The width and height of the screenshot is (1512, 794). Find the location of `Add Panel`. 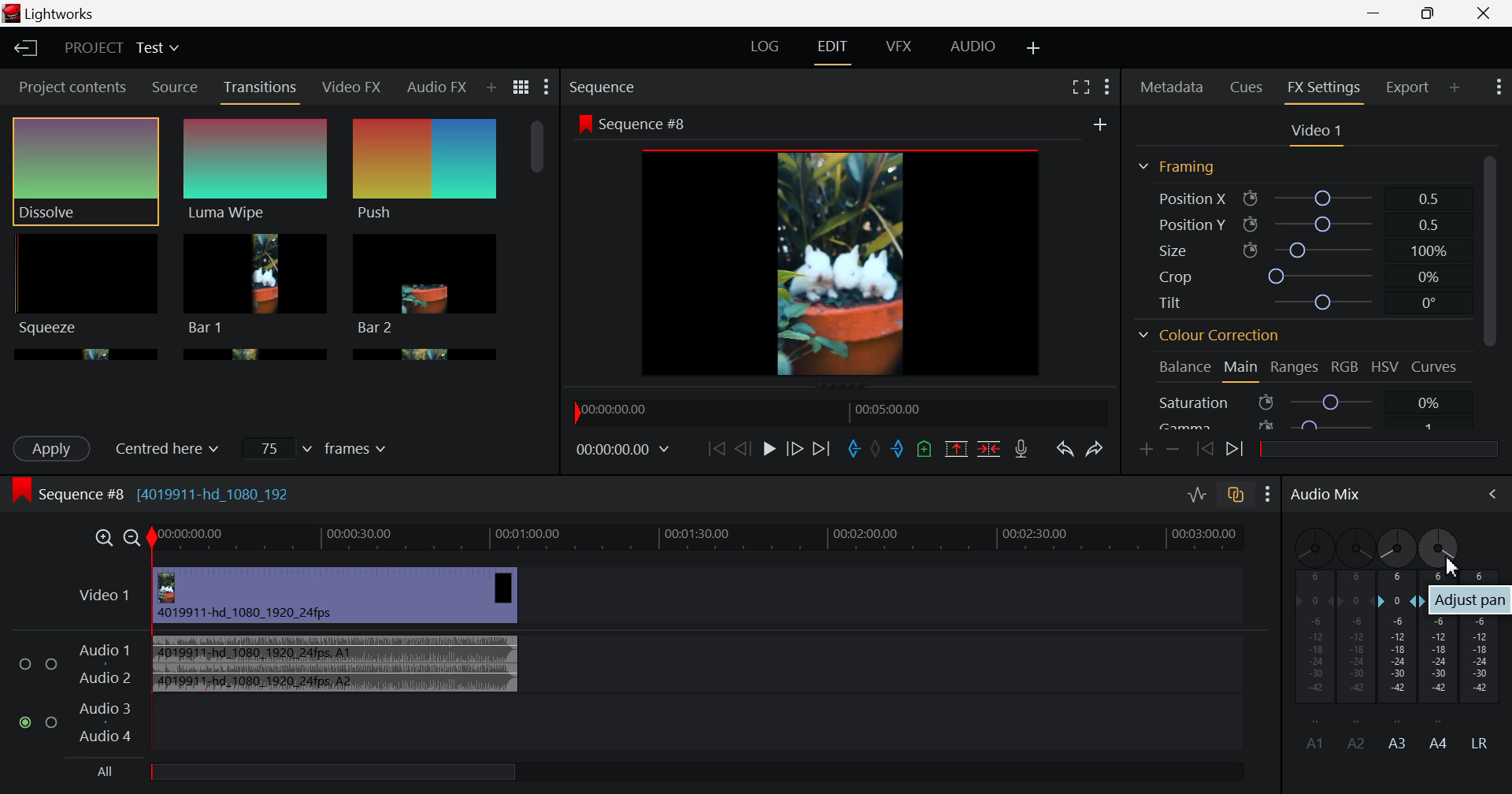

Add Panel is located at coordinates (1455, 87).